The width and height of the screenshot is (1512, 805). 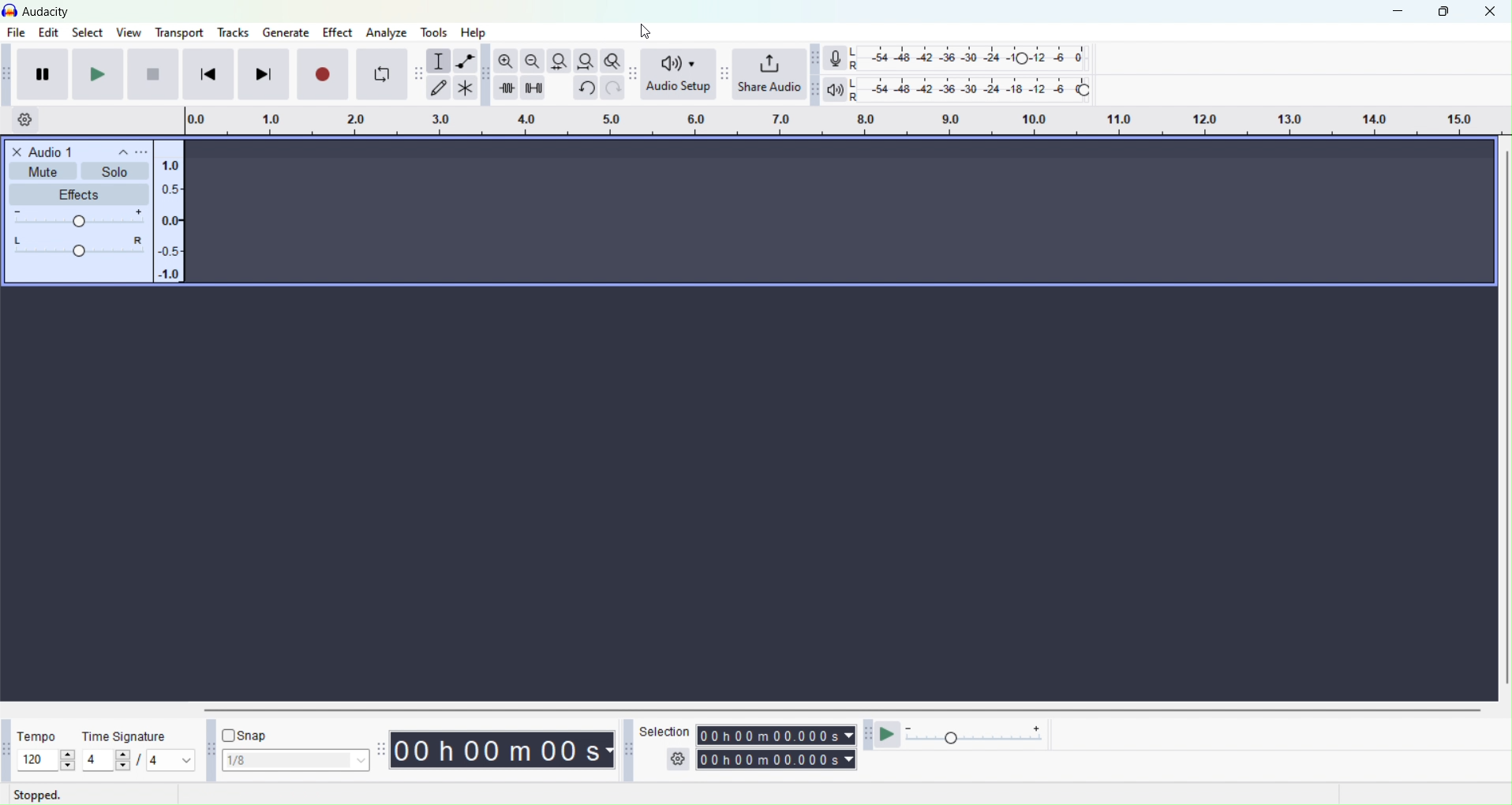 What do you see at coordinates (507, 61) in the screenshot?
I see `Zoom in` at bounding box center [507, 61].